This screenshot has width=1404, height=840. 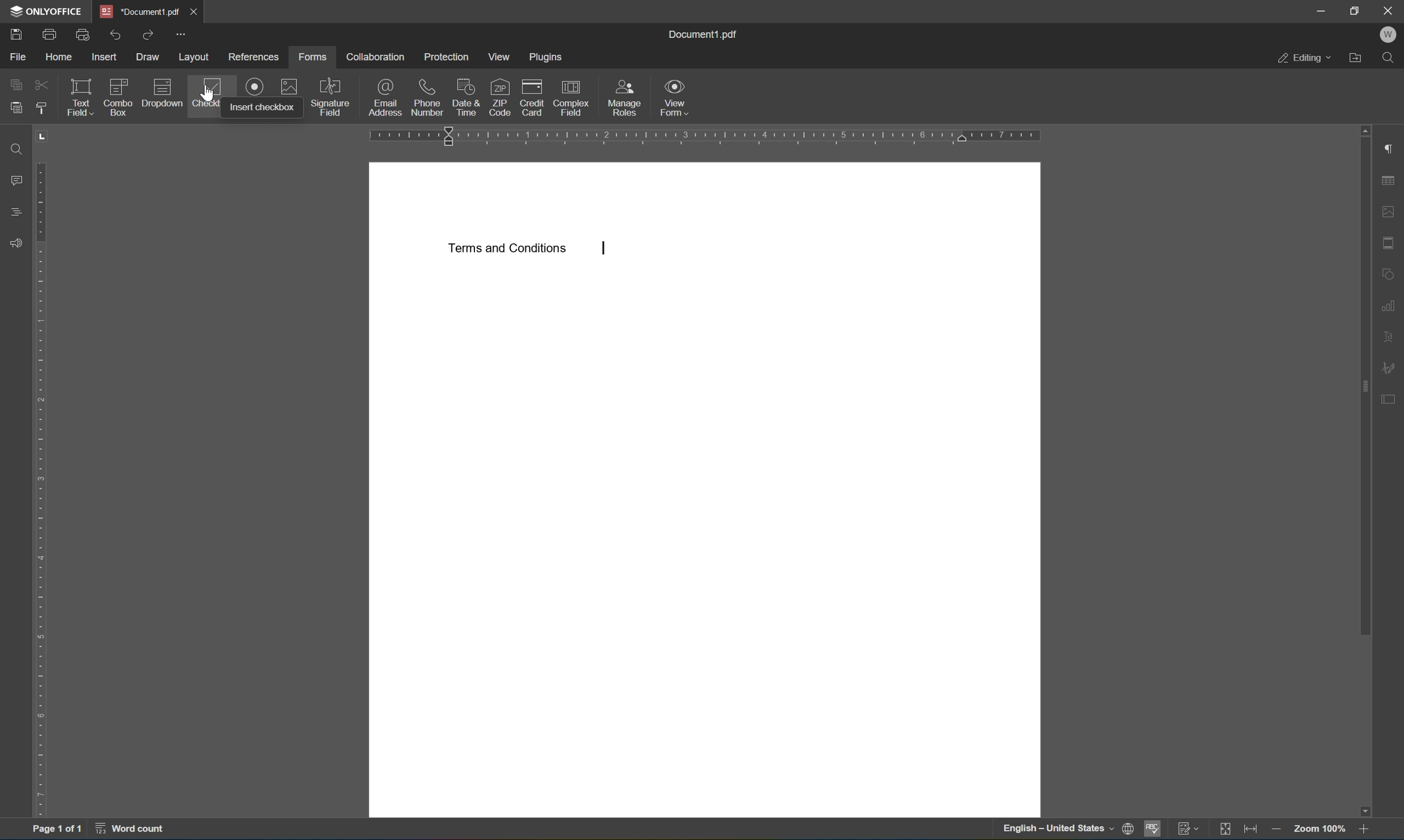 What do you see at coordinates (1392, 34) in the screenshot?
I see `W` at bounding box center [1392, 34].